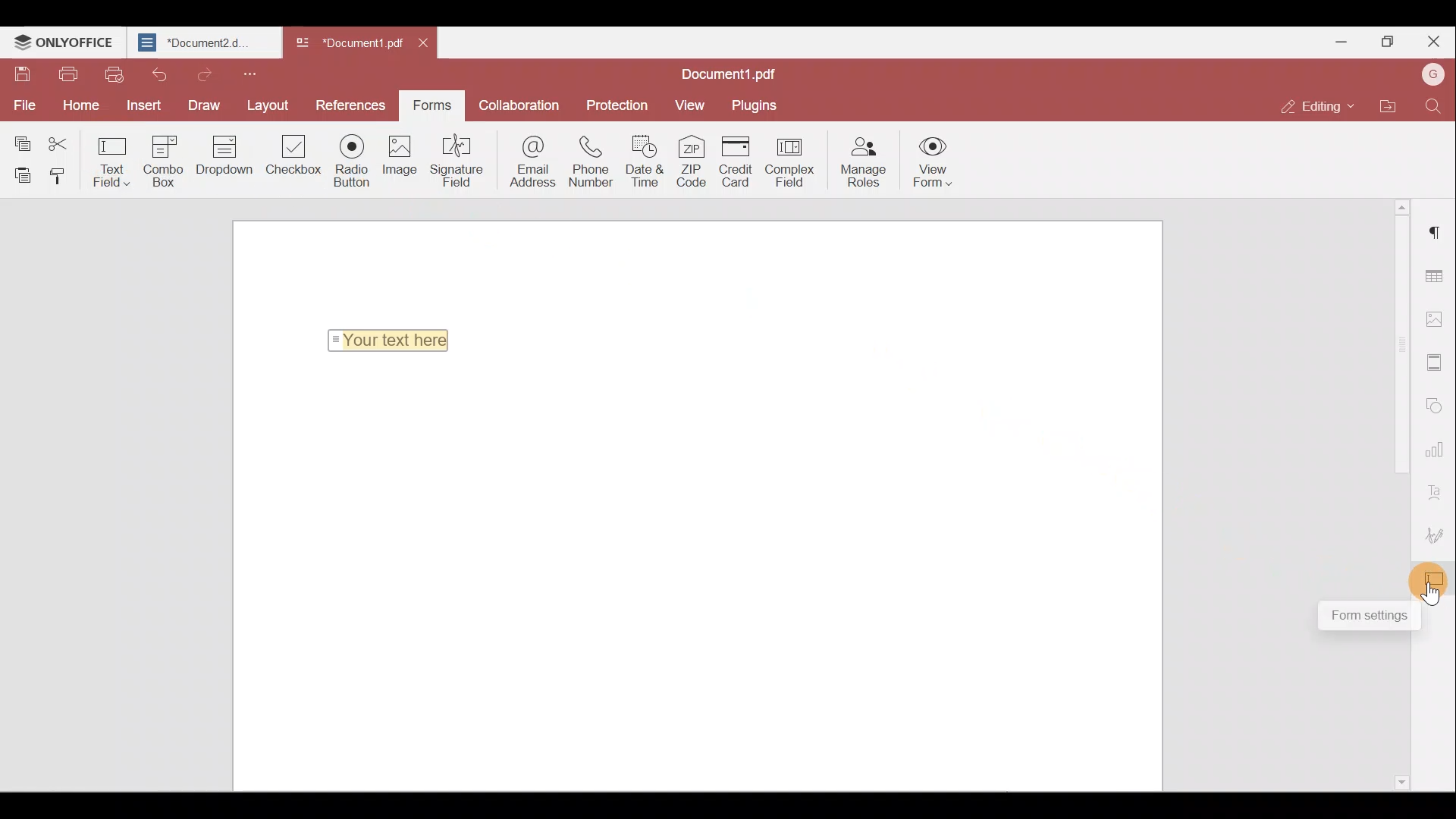 This screenshot has width=1456, height=819. I want to click on ONLYOFFICE, so click(64, 42).